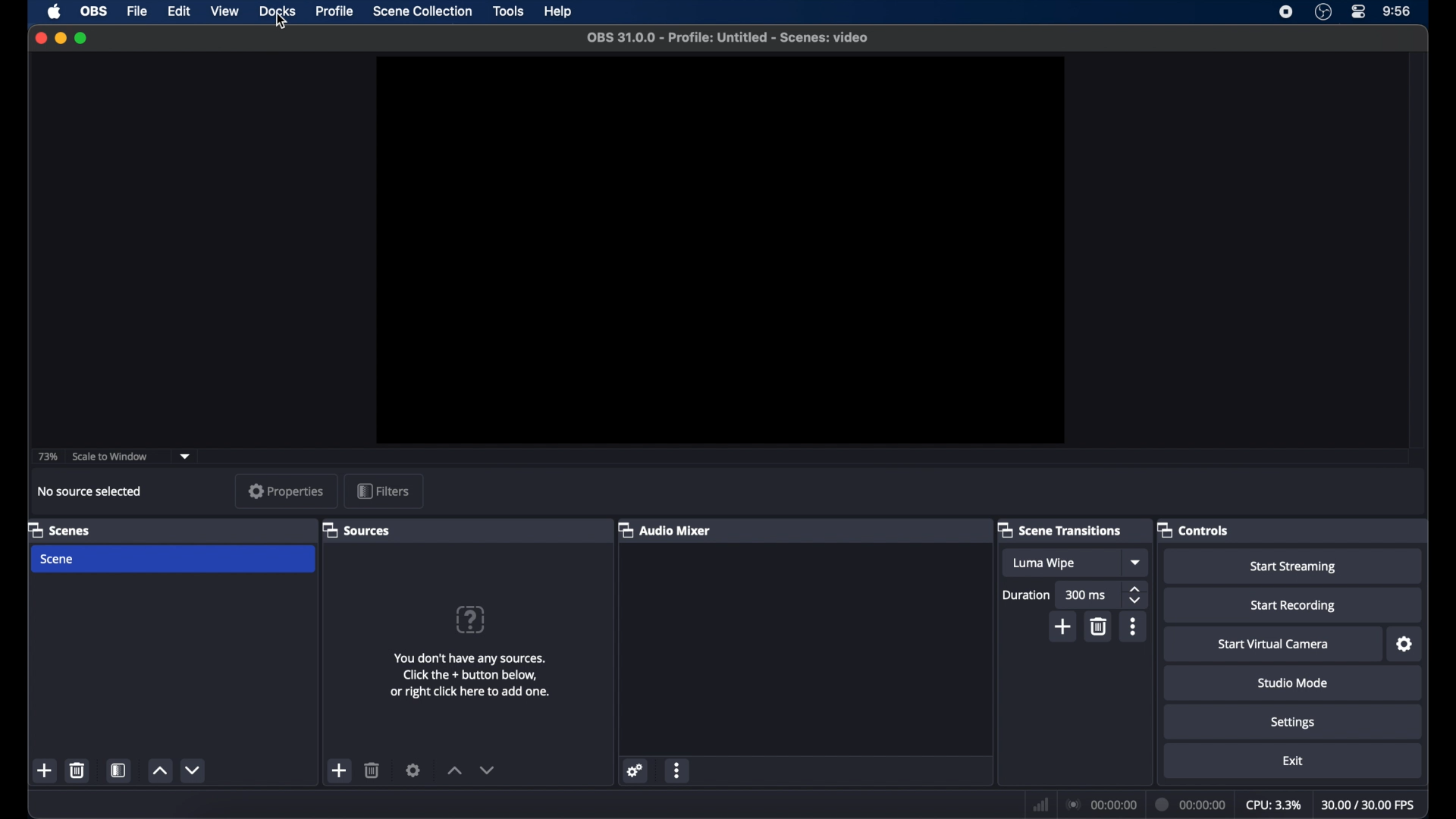  Describe the element at coordinates (668, 531) in the screenshot. I see `audio mixer` at that location.